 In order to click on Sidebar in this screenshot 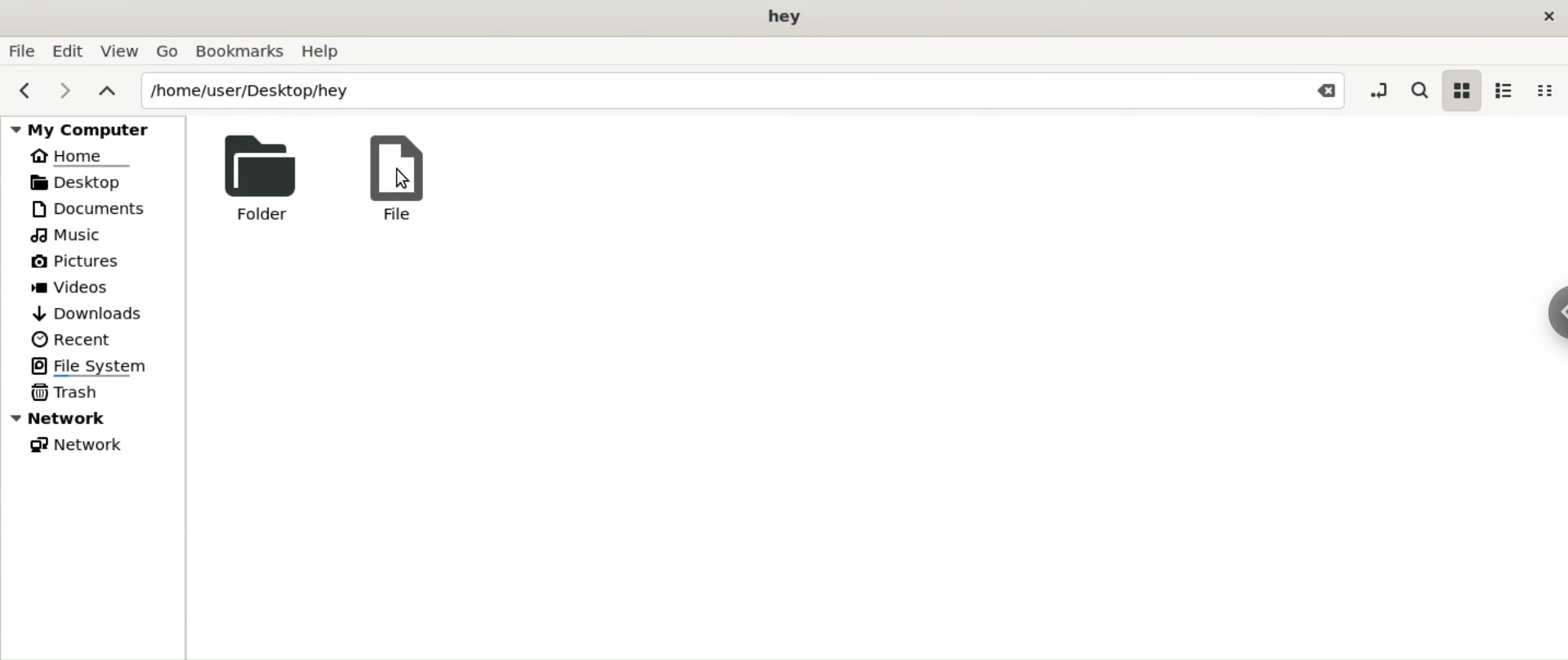, I will do `click(1551, 328)`.